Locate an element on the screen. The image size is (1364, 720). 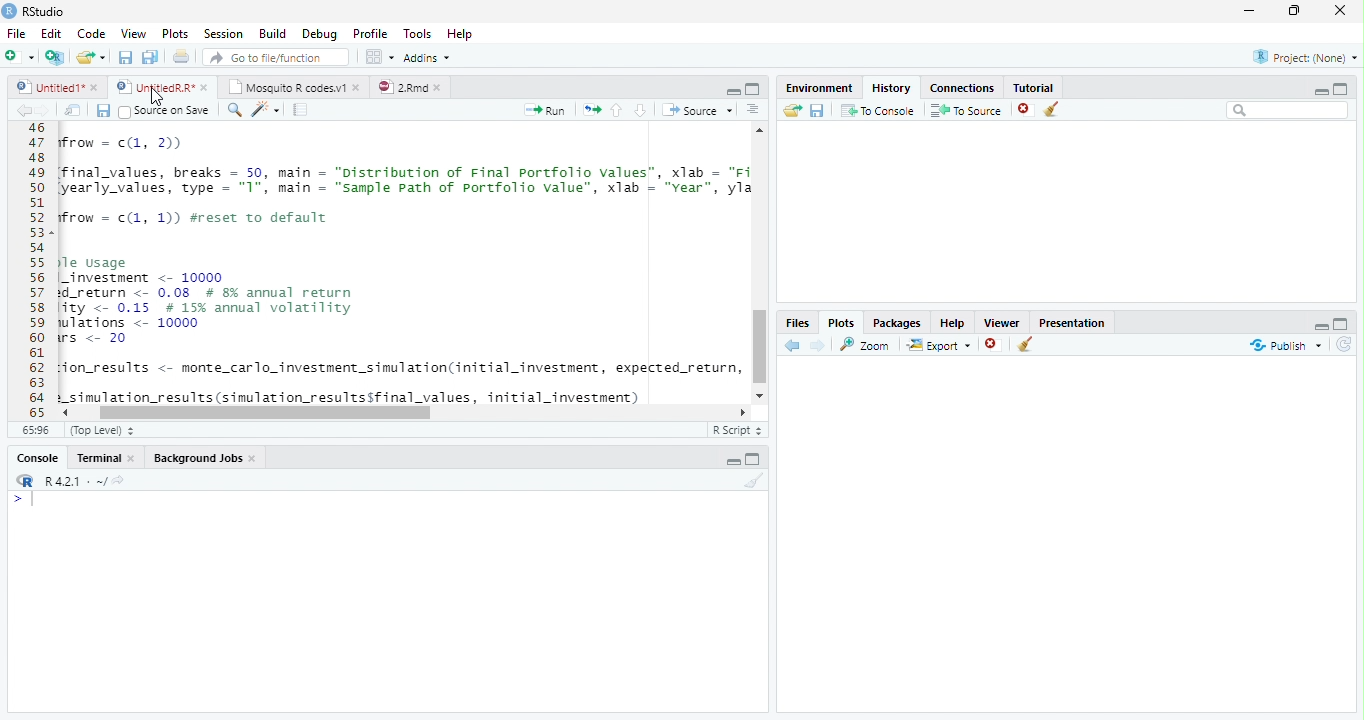
Tutorial is located at coordinates (1030, 85).